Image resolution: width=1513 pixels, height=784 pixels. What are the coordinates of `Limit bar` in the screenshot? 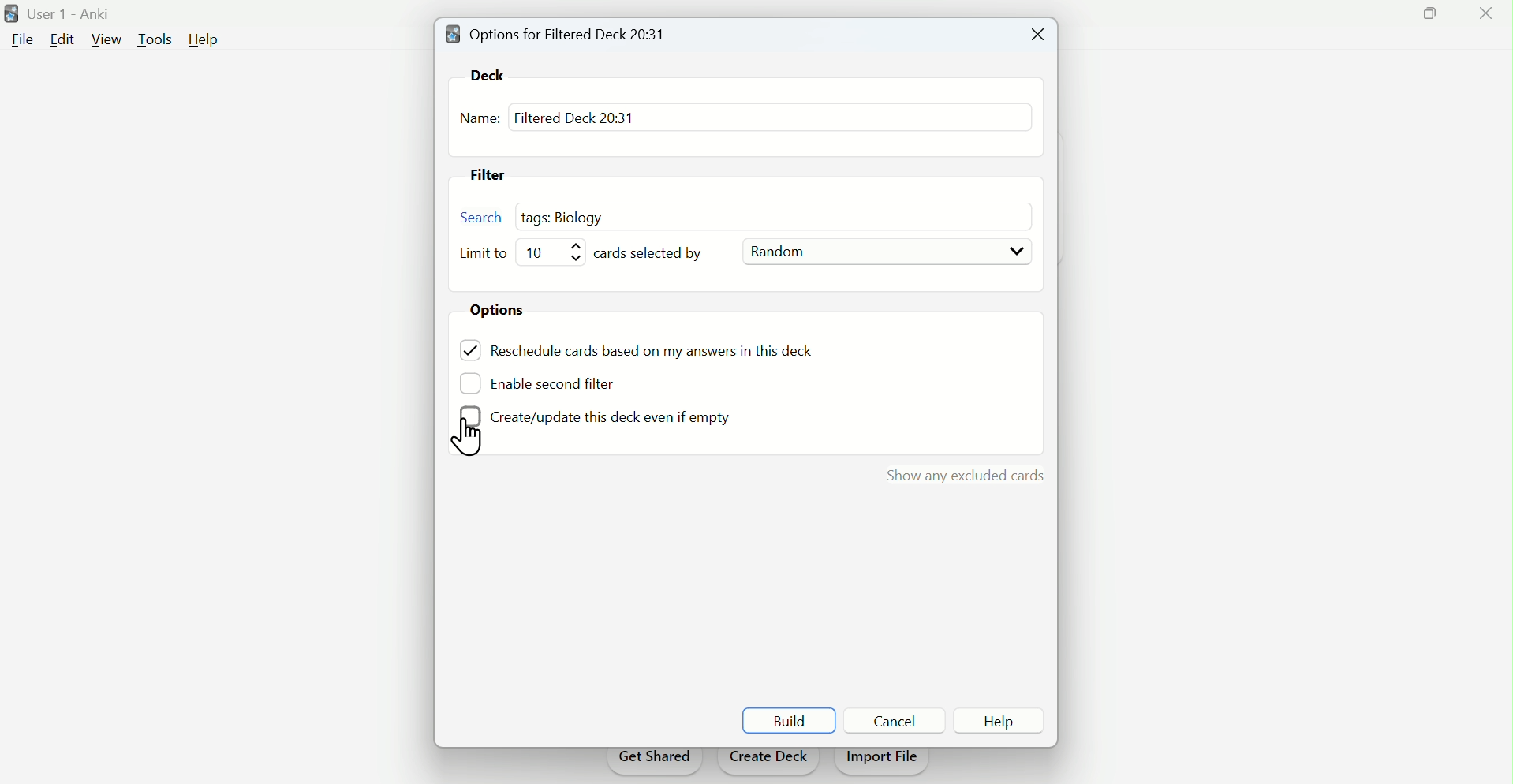 It's located at (557, 252).